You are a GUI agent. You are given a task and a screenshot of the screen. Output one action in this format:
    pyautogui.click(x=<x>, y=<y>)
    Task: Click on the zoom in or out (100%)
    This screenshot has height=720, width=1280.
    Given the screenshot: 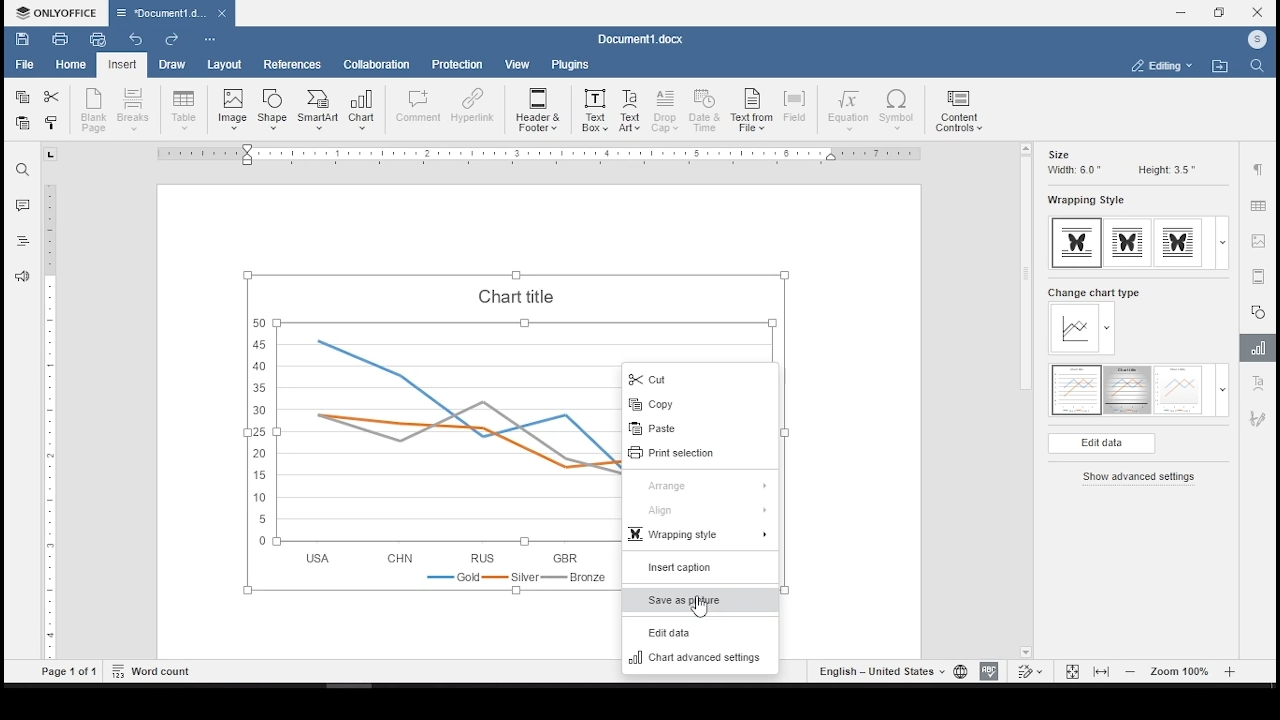 What is the action you would take?
    pyautogui.click(x=1181, y=670)
    